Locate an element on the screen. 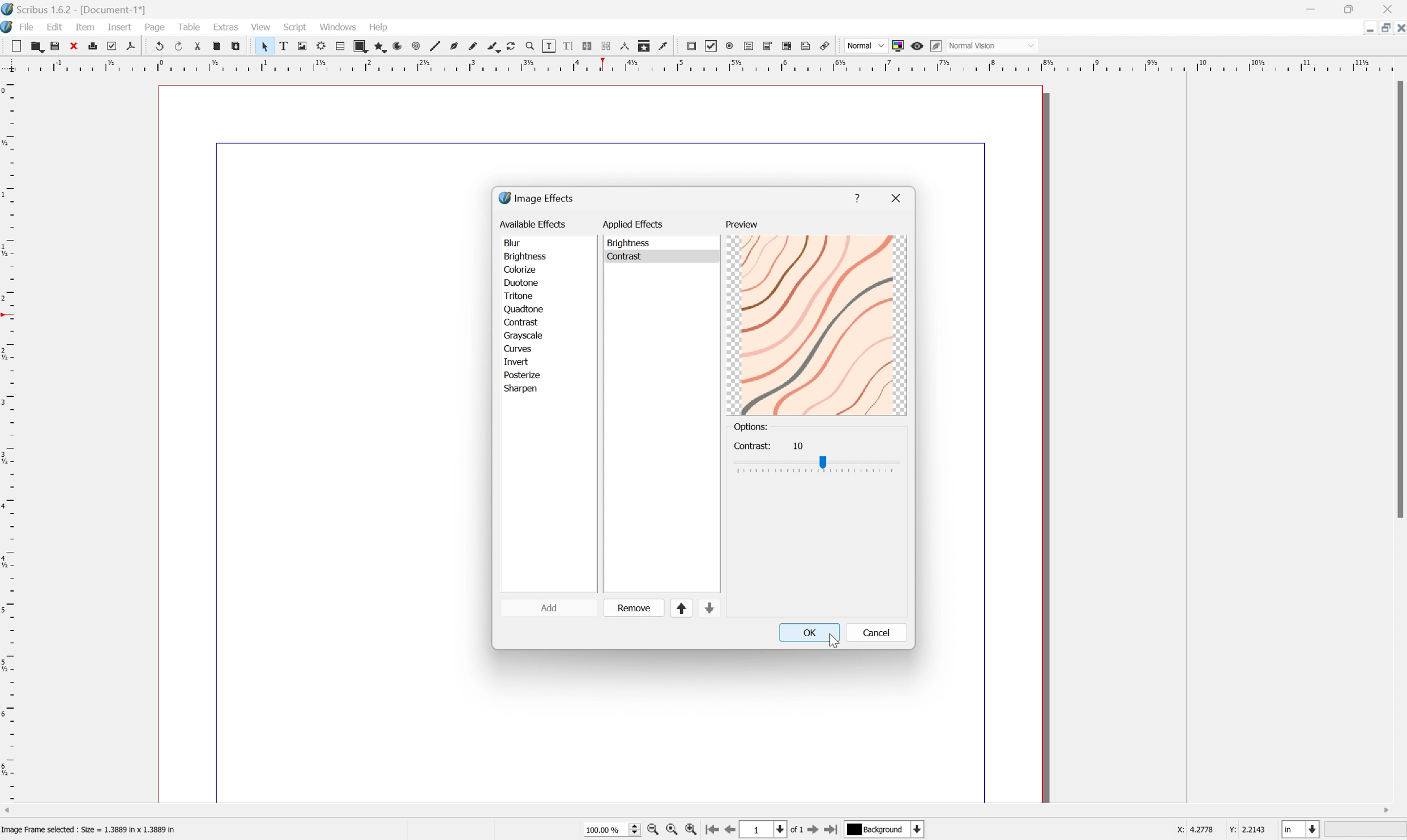 The height and width of the screenshot is (840, 1407). Measurements is located at coordinates (628, 46).